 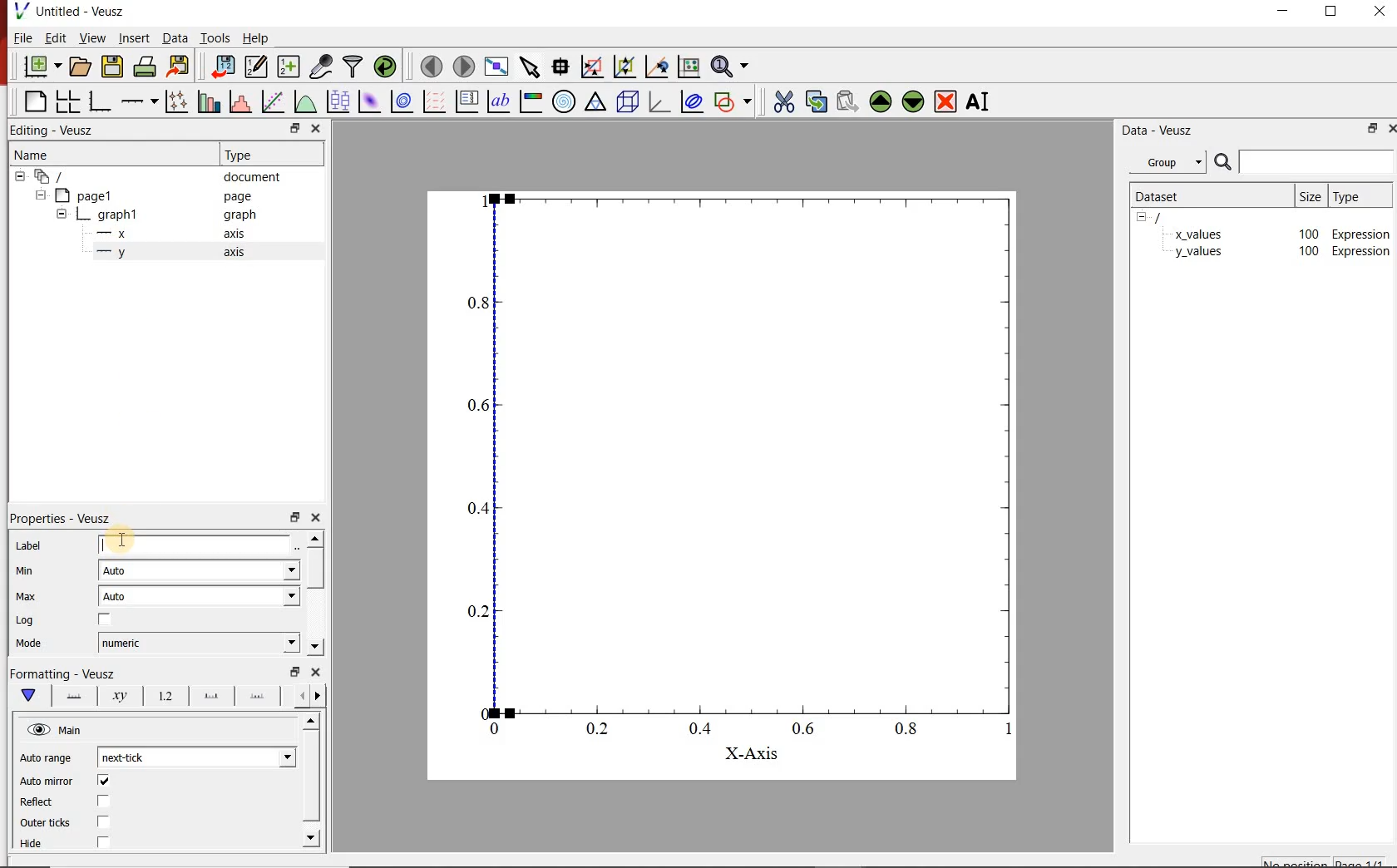 What do you see at coordinates (105, 841) in the screenshot?
I see `checkbox` at bounding box center [105, 841].